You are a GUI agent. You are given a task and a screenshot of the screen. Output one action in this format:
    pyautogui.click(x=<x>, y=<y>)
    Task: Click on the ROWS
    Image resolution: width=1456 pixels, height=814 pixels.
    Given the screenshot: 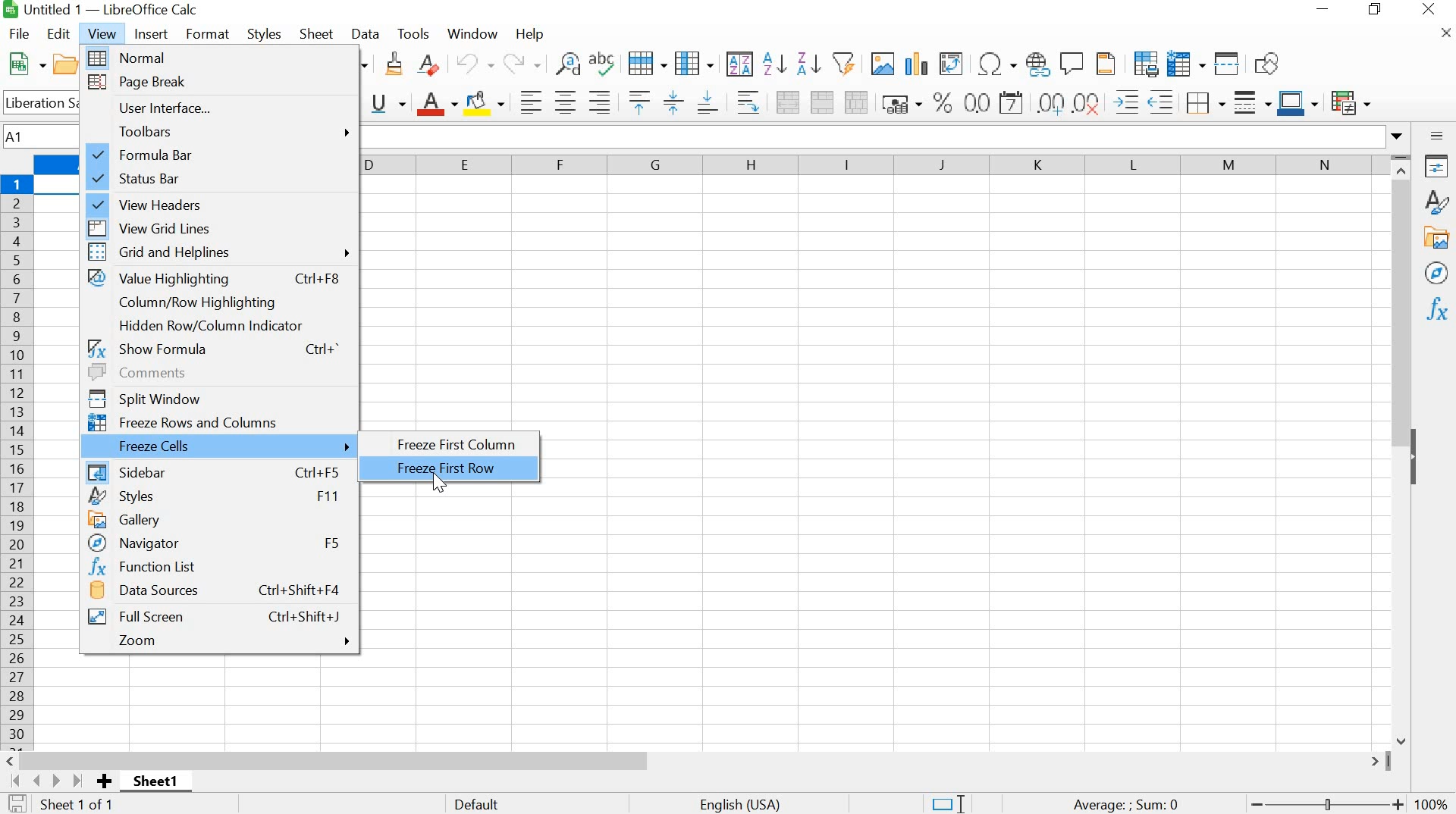 What is the action you would take?
    pyautogui.click(x=18, y=459)
    